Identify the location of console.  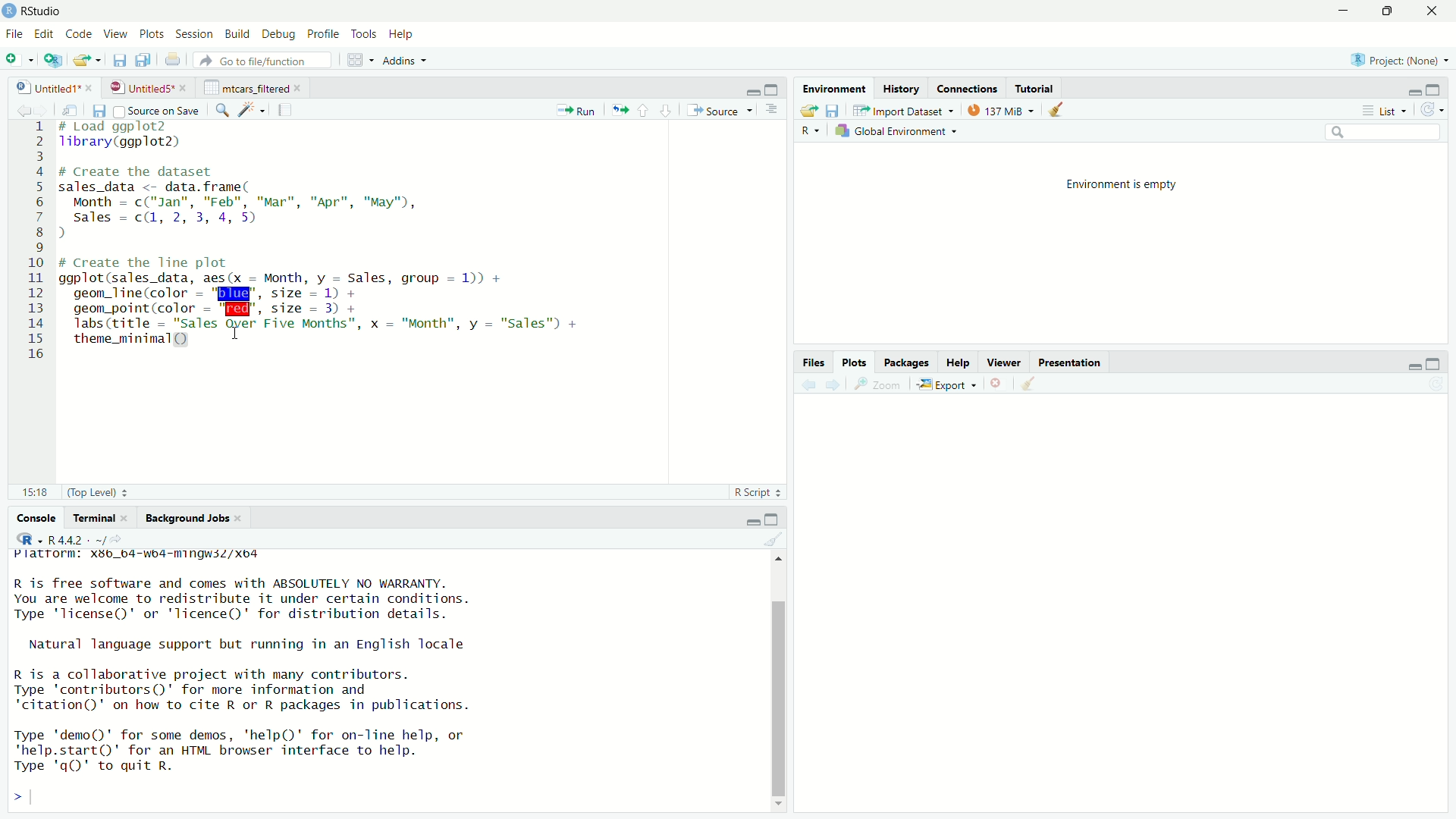
(30, 519).